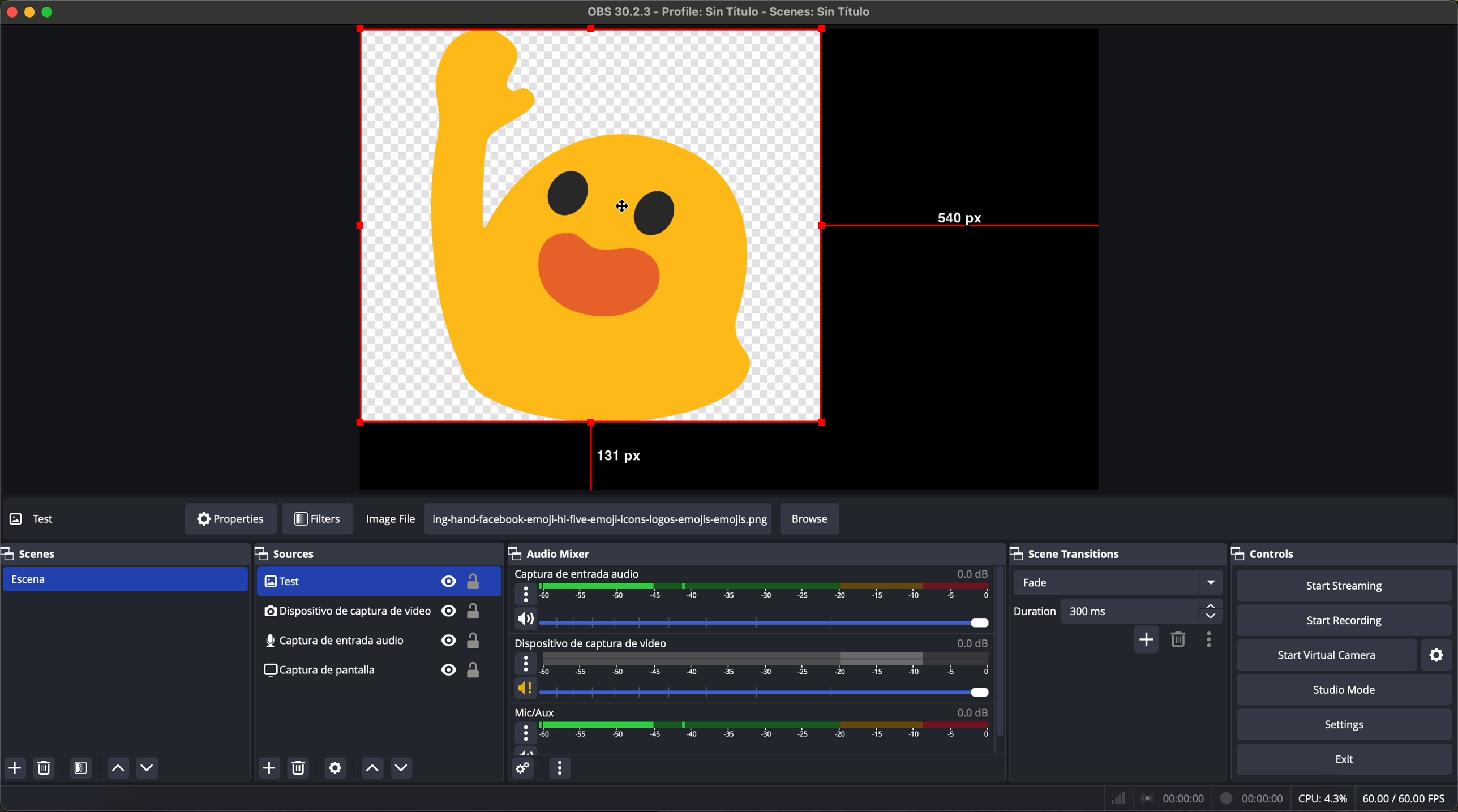  I want to click on 0.0 dB, so click(973, 643).